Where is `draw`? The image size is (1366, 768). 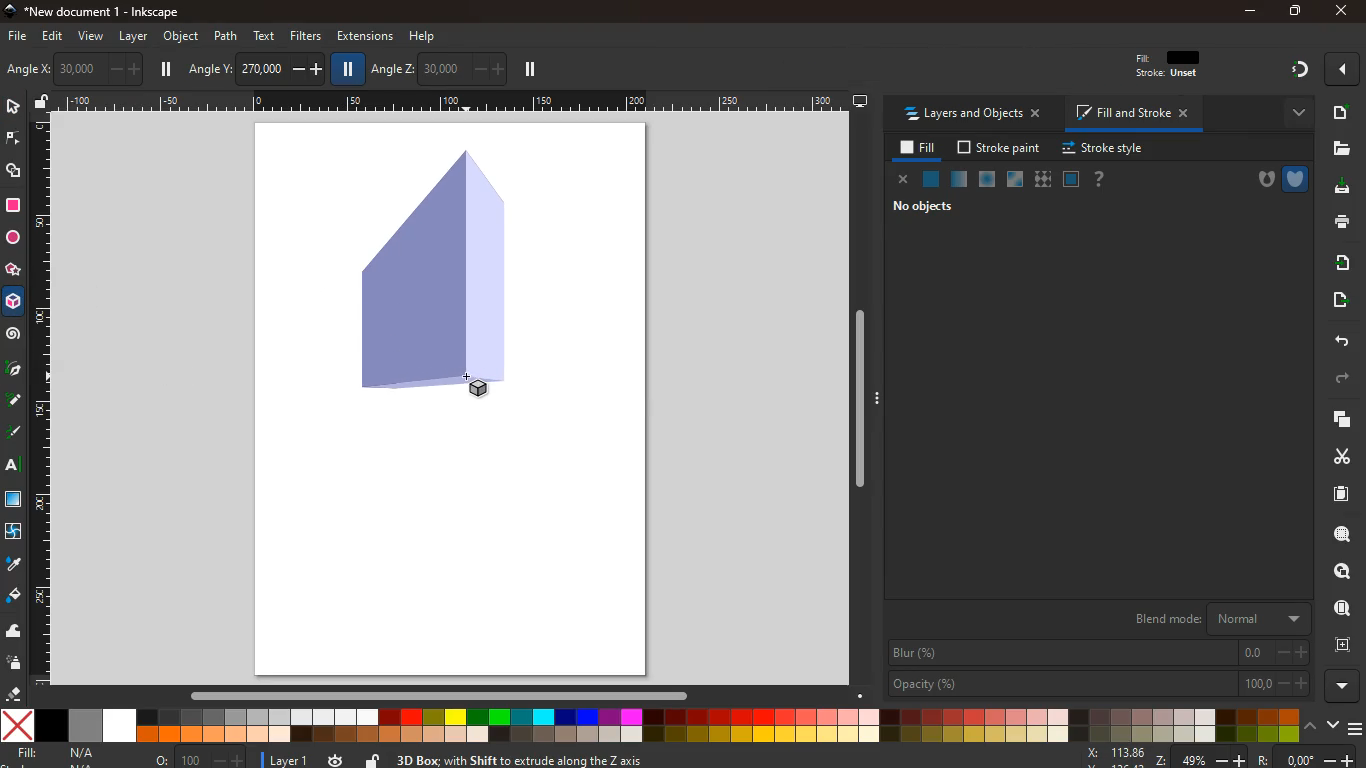 draw is located at coordinates (14, 436).